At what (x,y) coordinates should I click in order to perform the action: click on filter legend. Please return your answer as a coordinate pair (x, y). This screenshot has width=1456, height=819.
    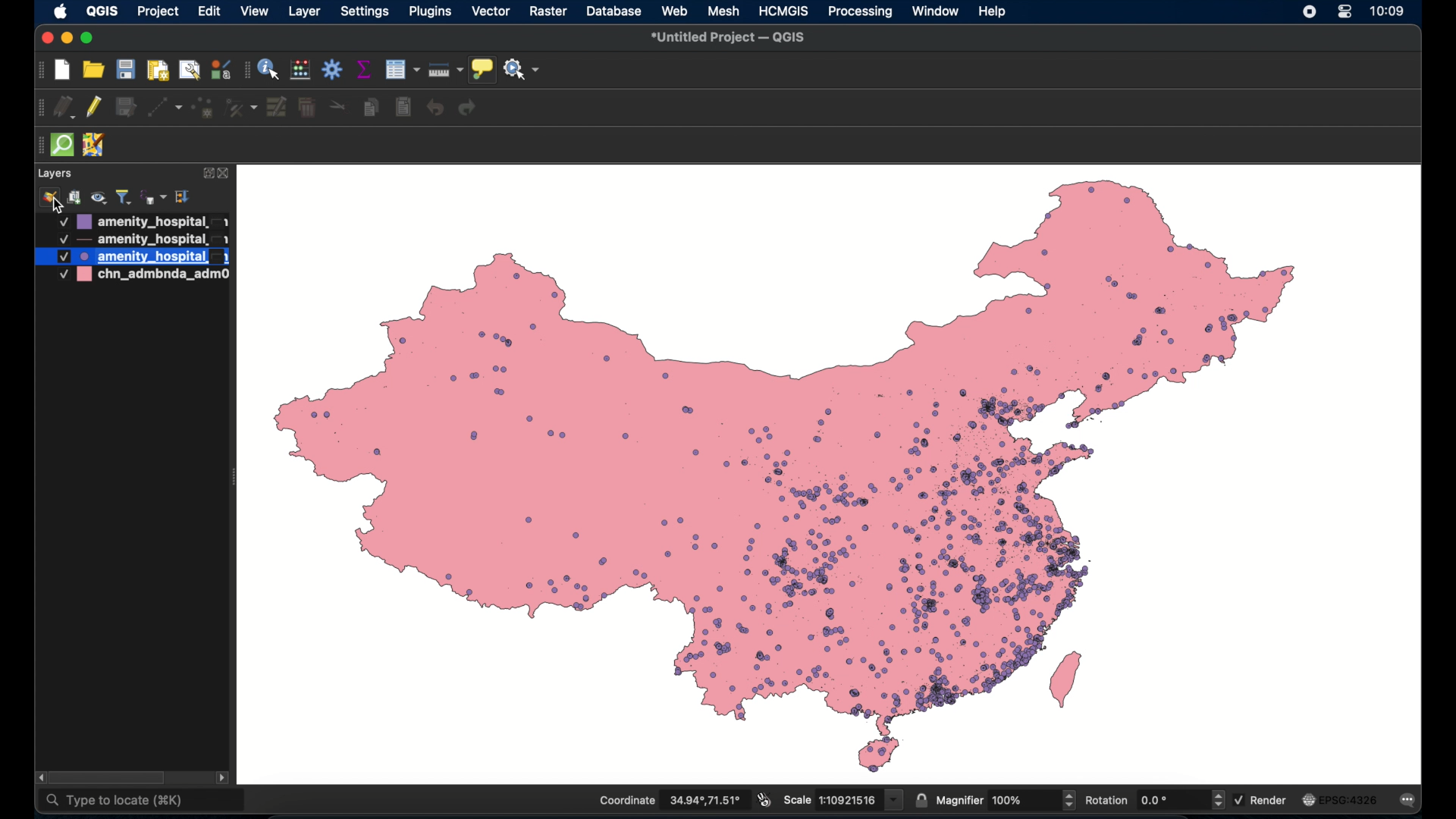
    Looking at the image, I should click on (124, 197).